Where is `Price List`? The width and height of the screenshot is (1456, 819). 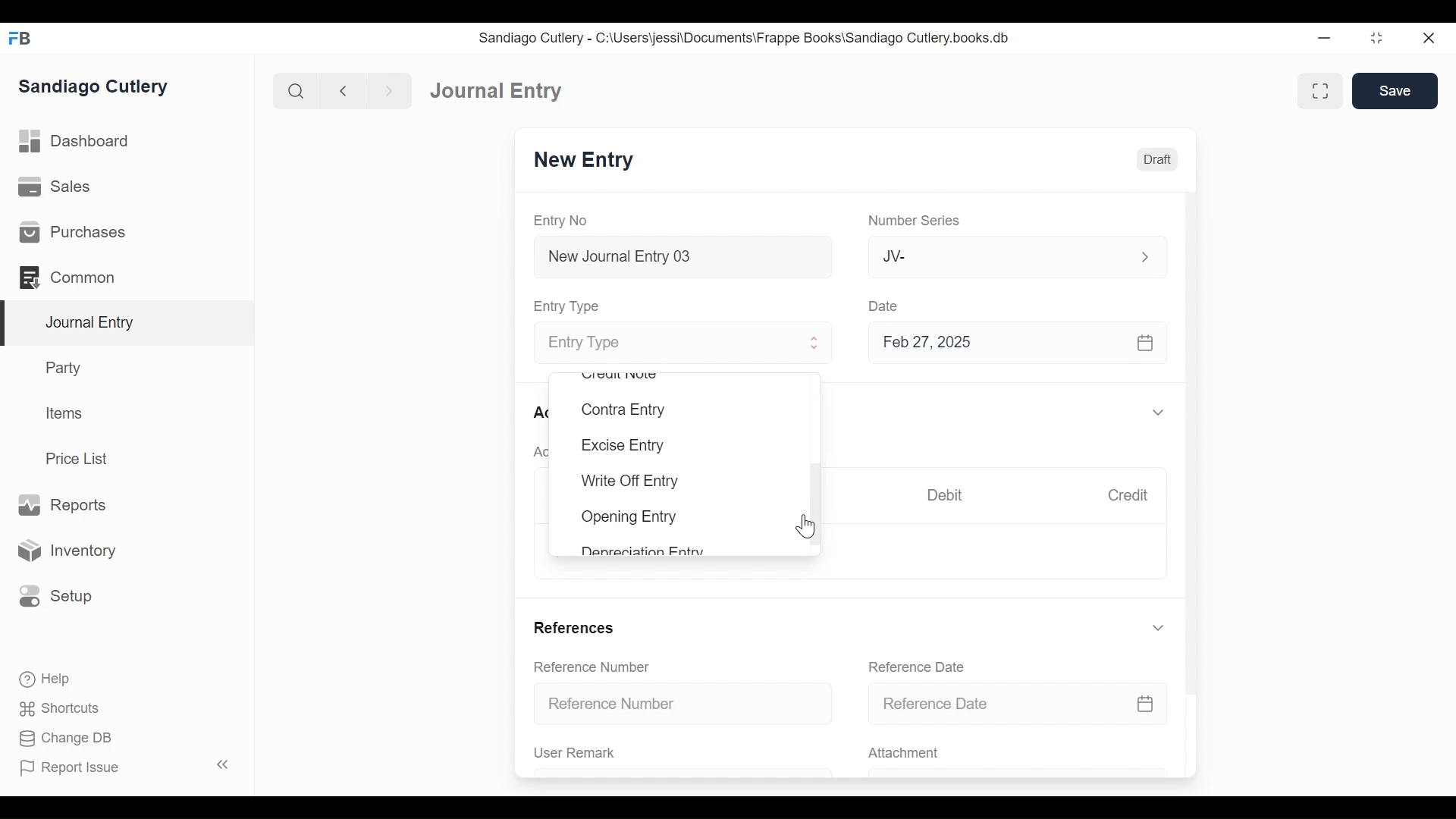
Price List is located at coordinates (80, 458).